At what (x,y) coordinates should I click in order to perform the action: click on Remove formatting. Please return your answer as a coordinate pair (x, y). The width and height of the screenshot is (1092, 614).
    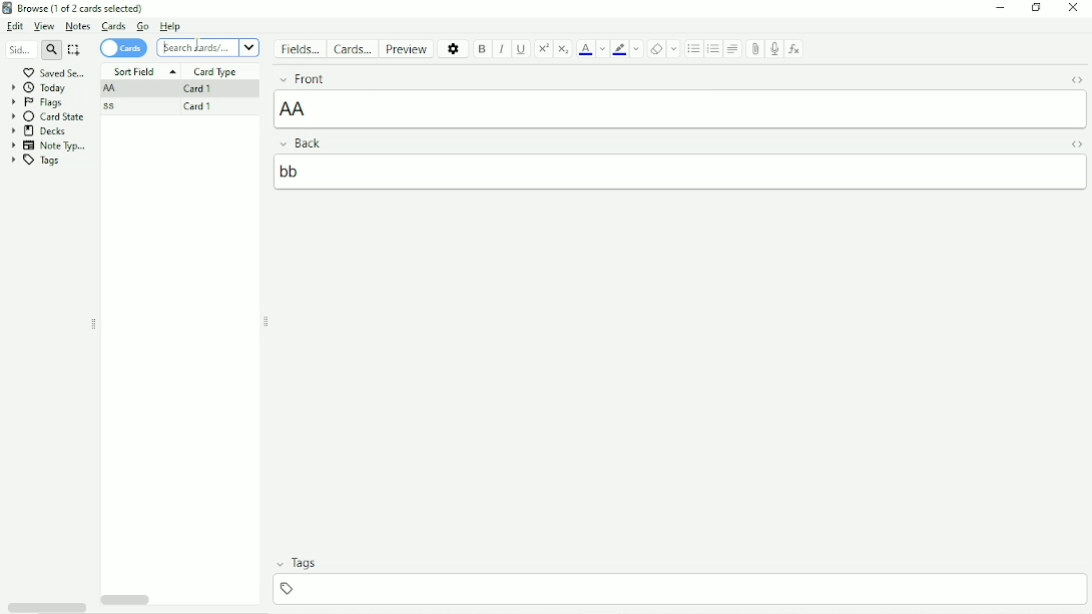
    Looking at the image, I should click on (656, 49).